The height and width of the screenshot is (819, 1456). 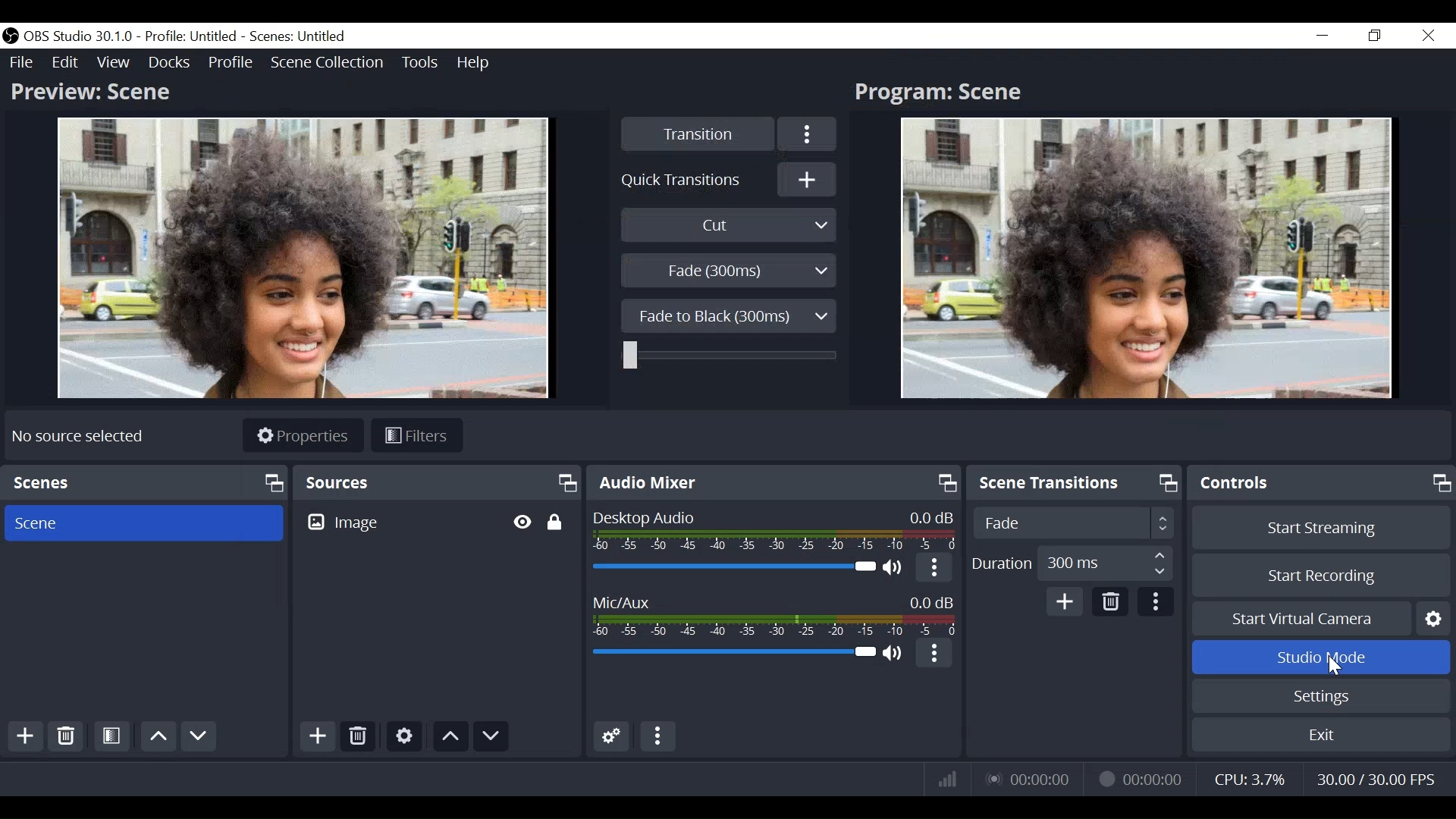 I want to click on Gear, so click(x=612, y=736).